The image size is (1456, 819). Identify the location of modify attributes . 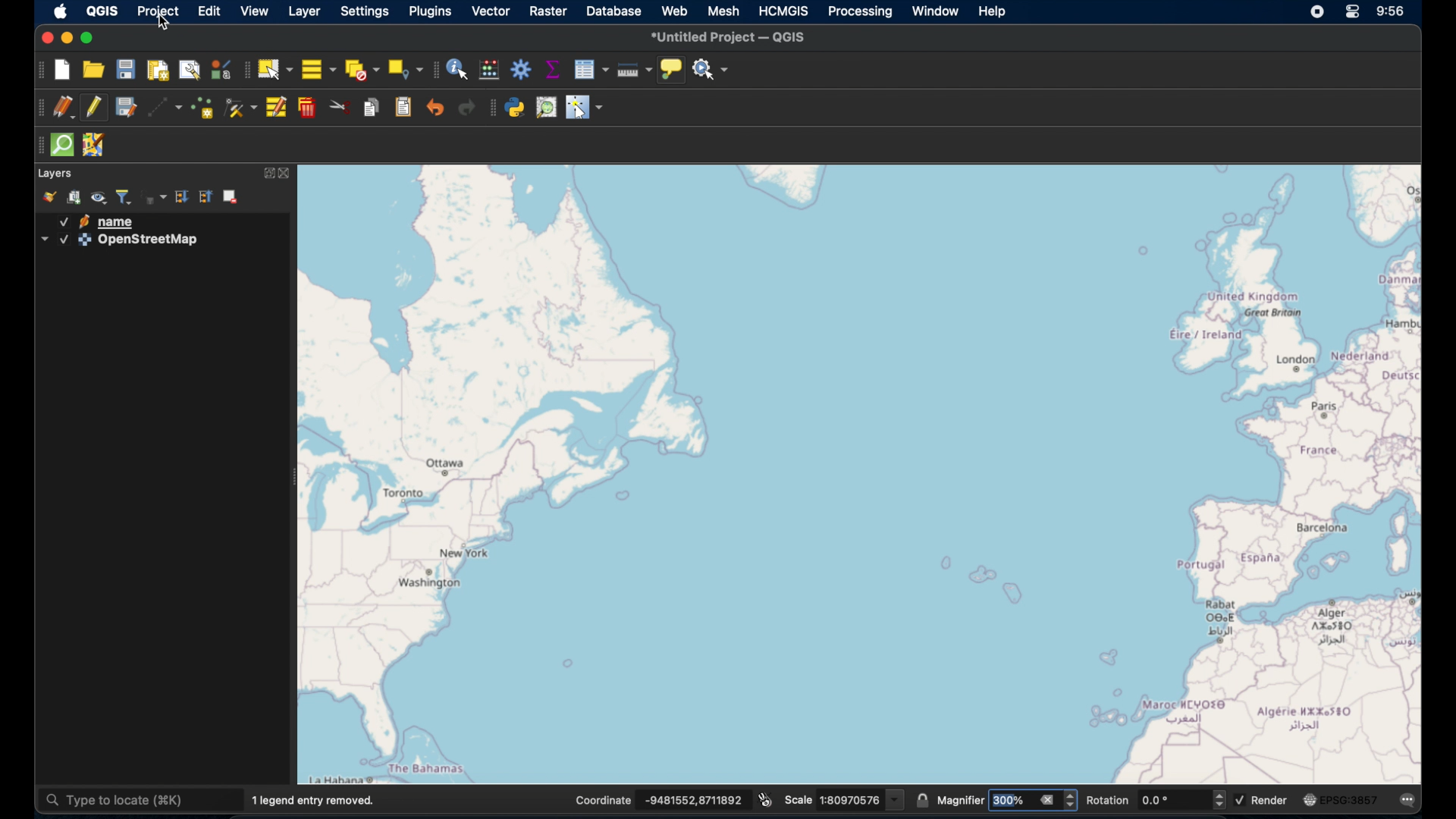
(275, 108).